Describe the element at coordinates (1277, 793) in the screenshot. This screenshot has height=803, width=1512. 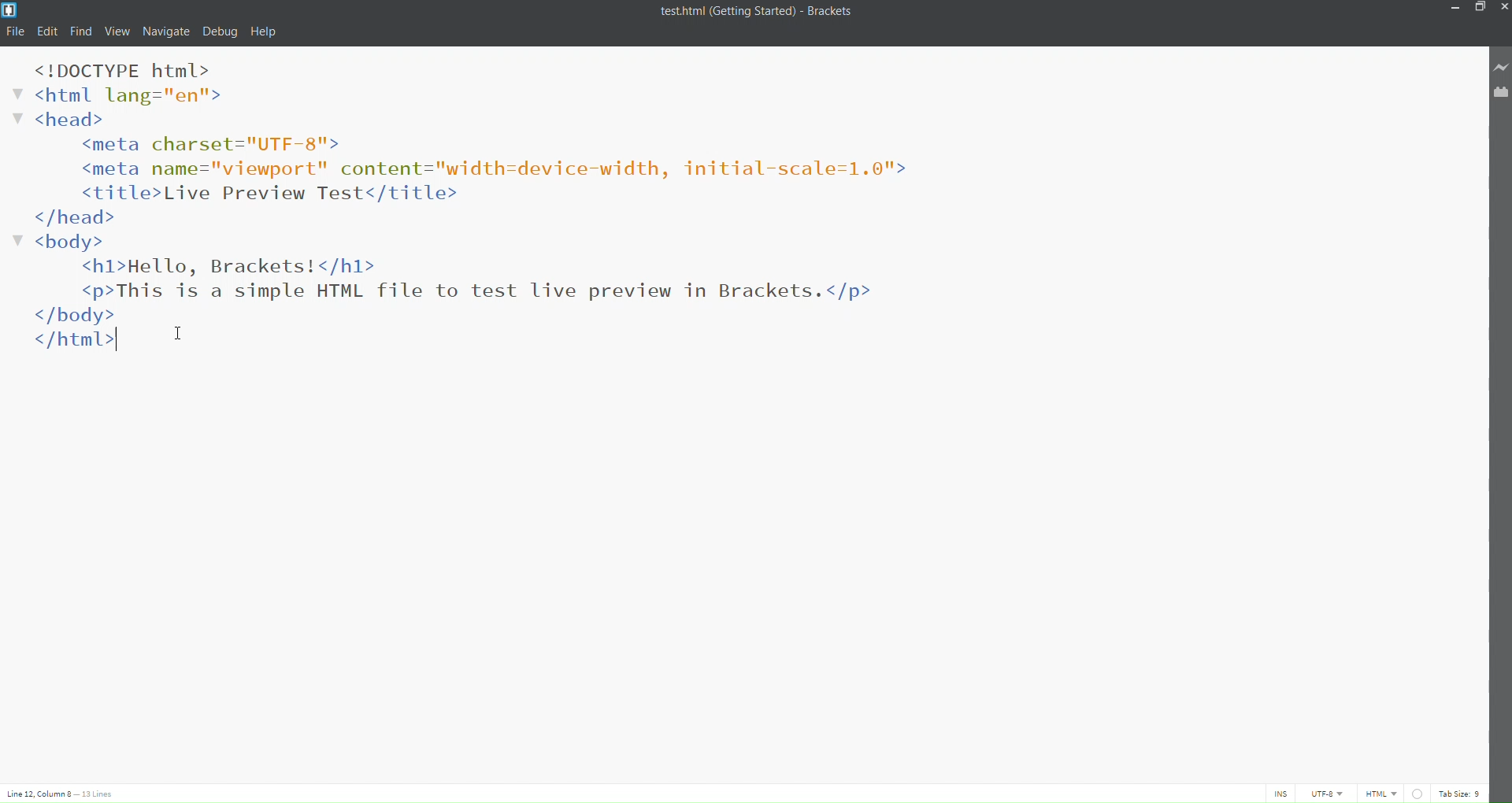
I see `INS` at that location.